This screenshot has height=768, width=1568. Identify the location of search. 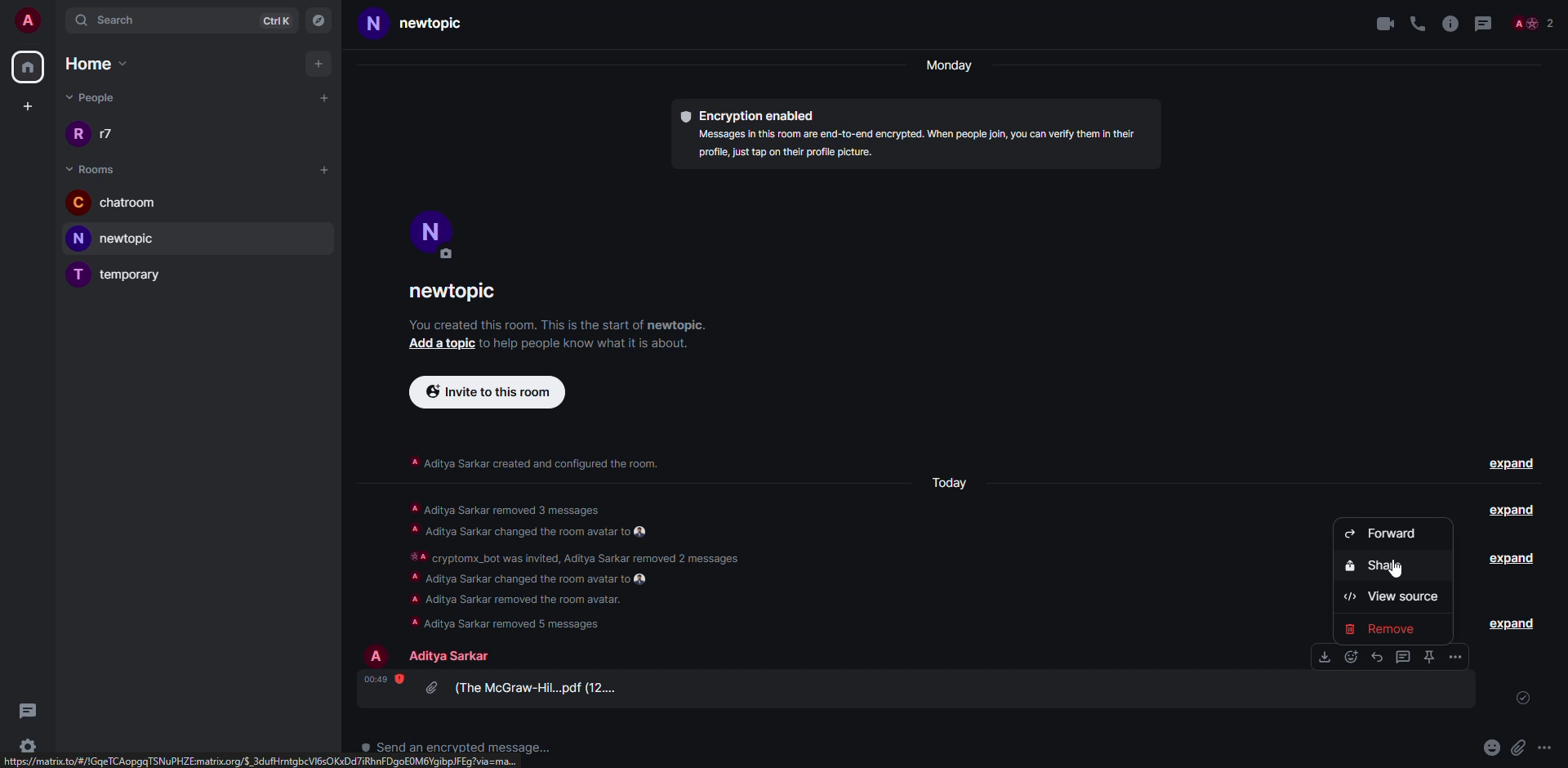
(109, 19).